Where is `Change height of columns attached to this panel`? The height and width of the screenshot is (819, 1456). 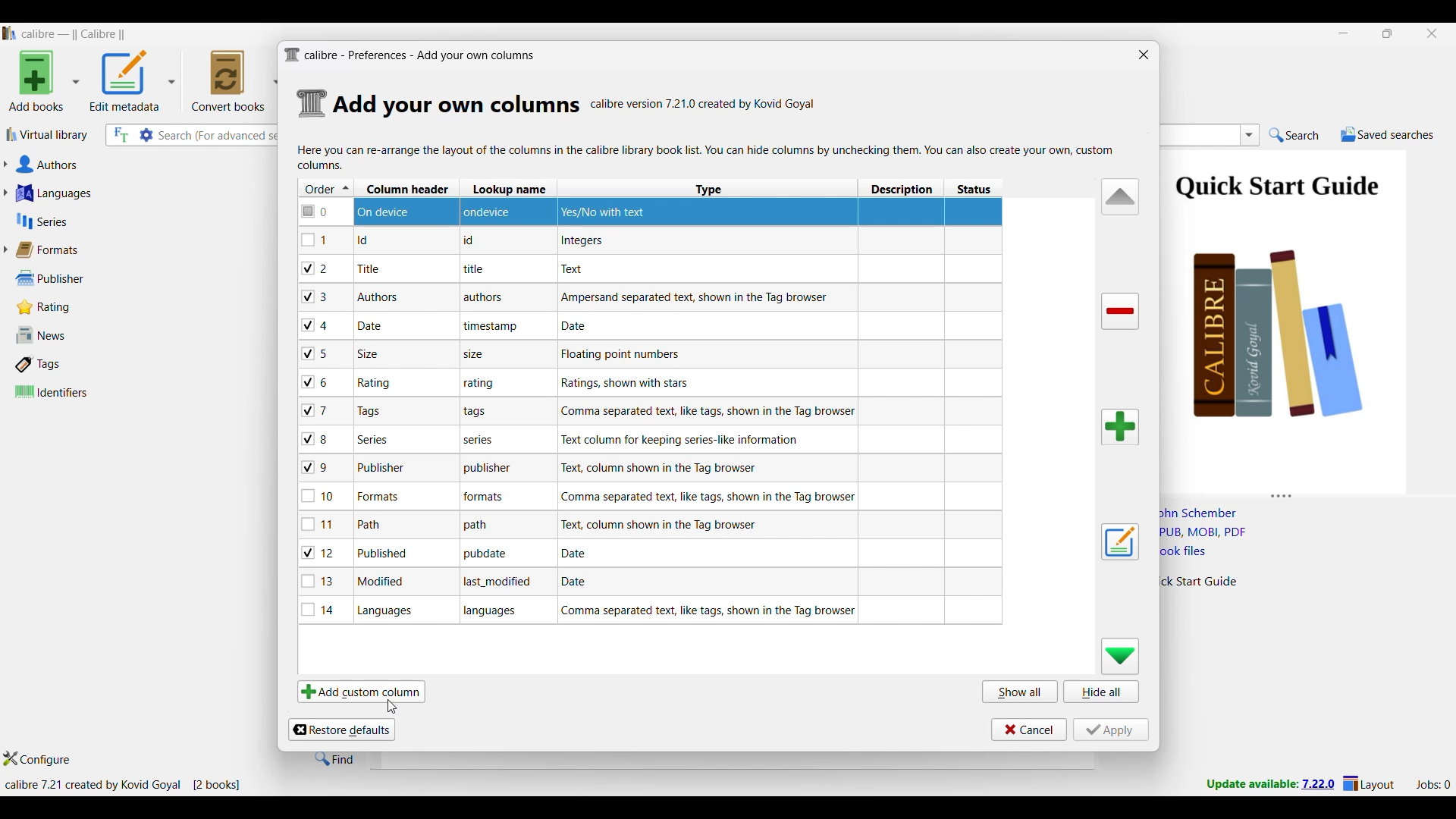 Change height of columns attached to this panel is located at coordinates (1307, 493).